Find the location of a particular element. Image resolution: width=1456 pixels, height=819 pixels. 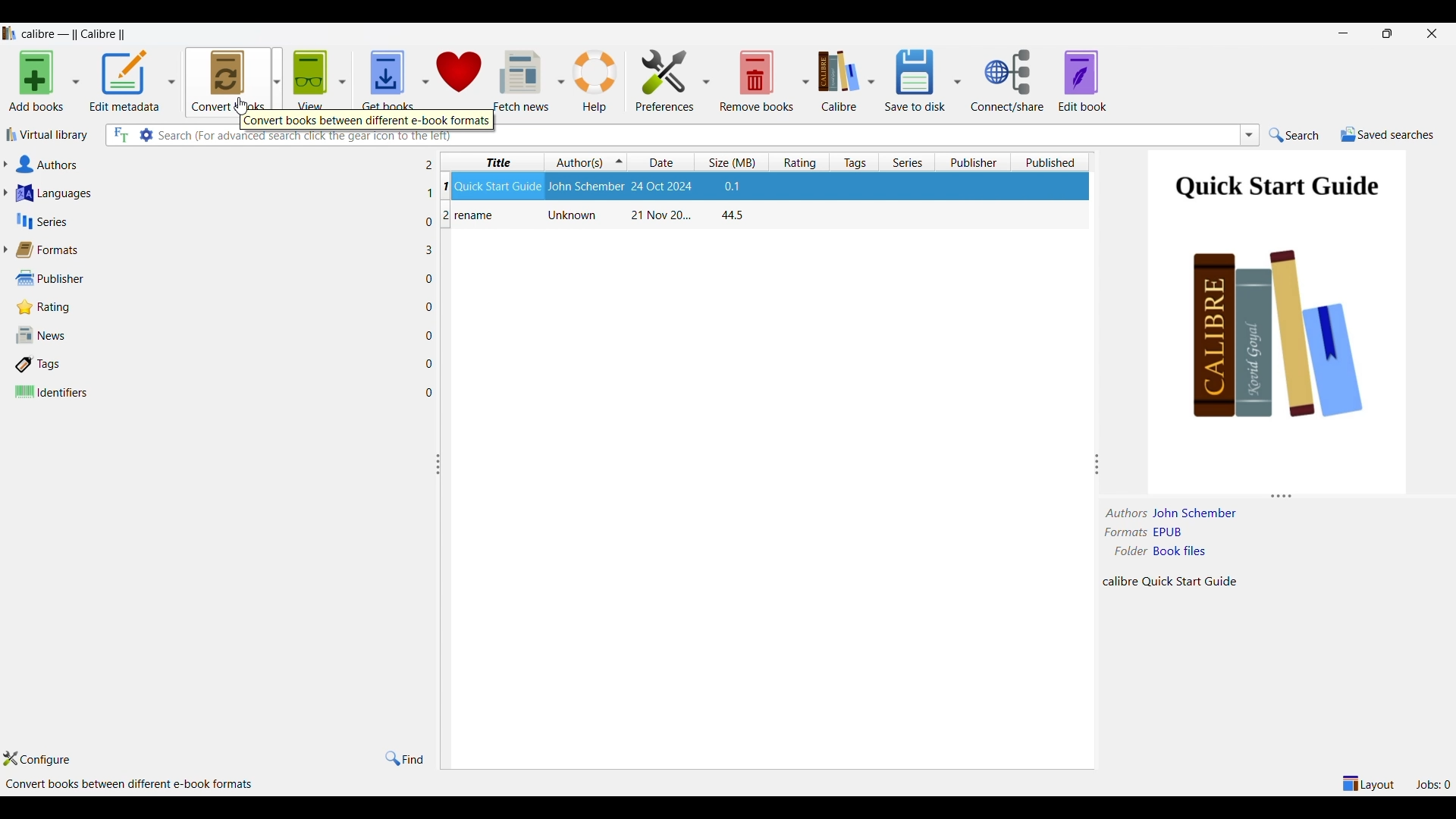

formats is located at coordinates (1125, 532).